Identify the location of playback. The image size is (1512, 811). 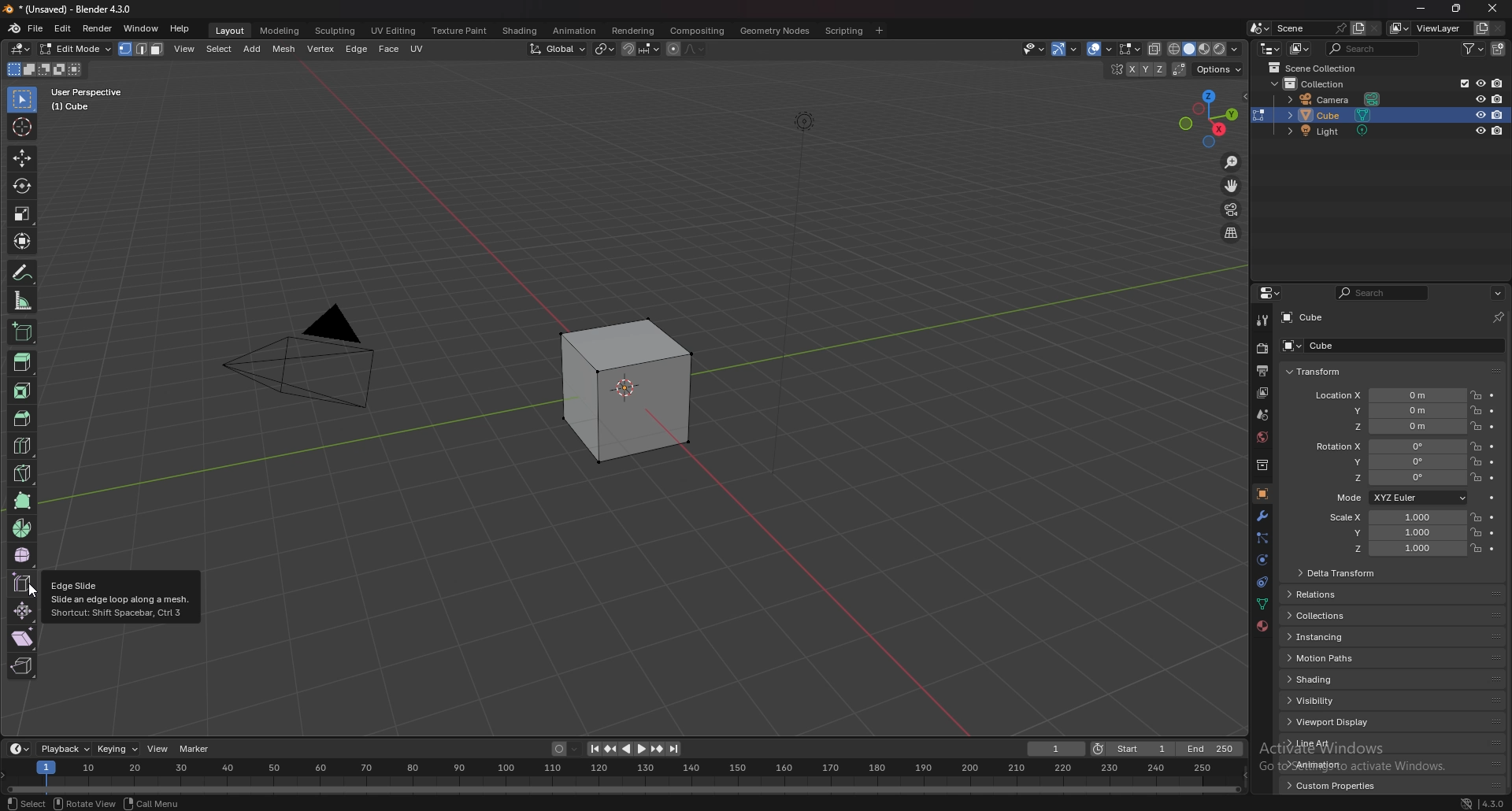
(66, 749).